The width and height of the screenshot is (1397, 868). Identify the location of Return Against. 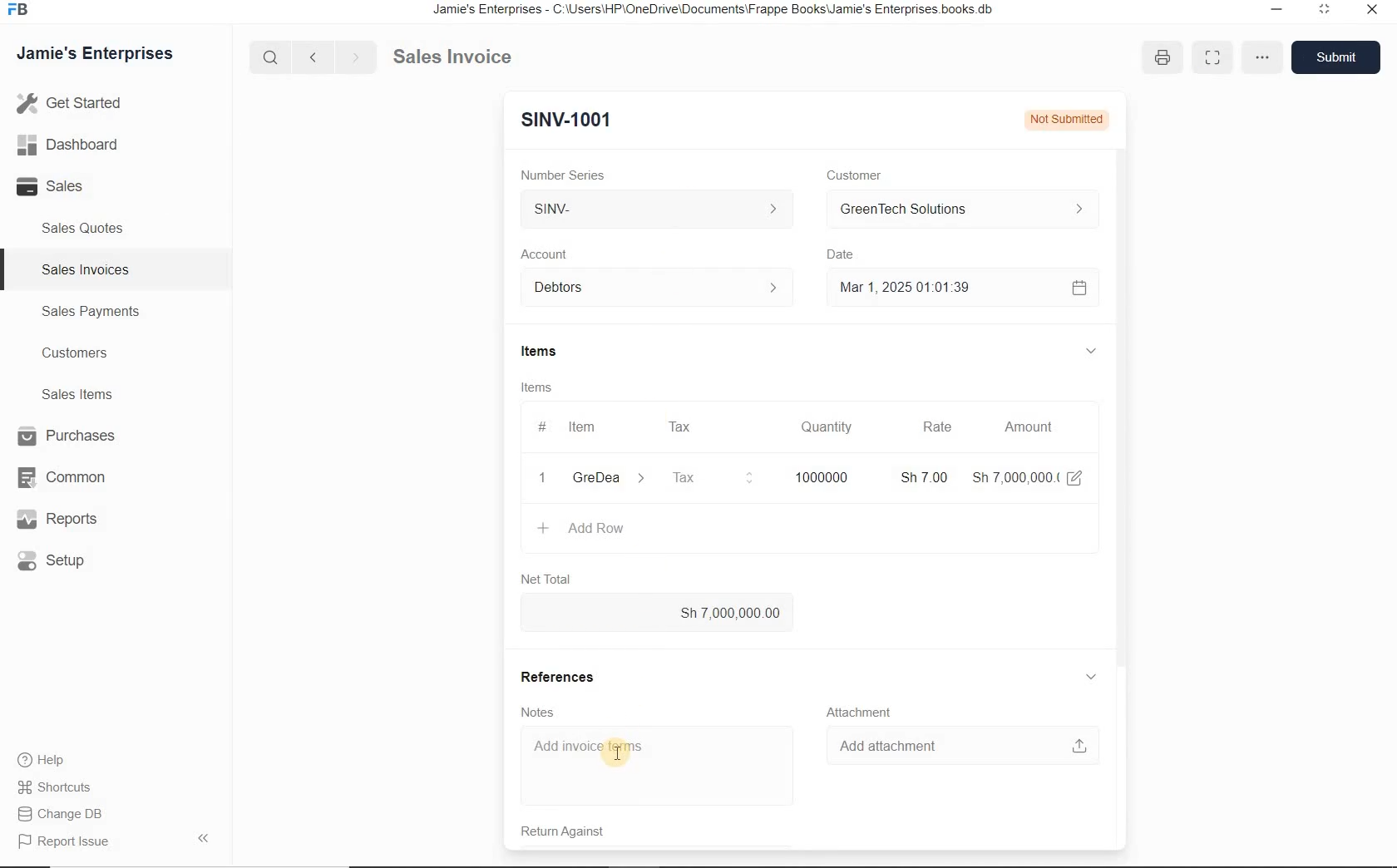
(559, 834).